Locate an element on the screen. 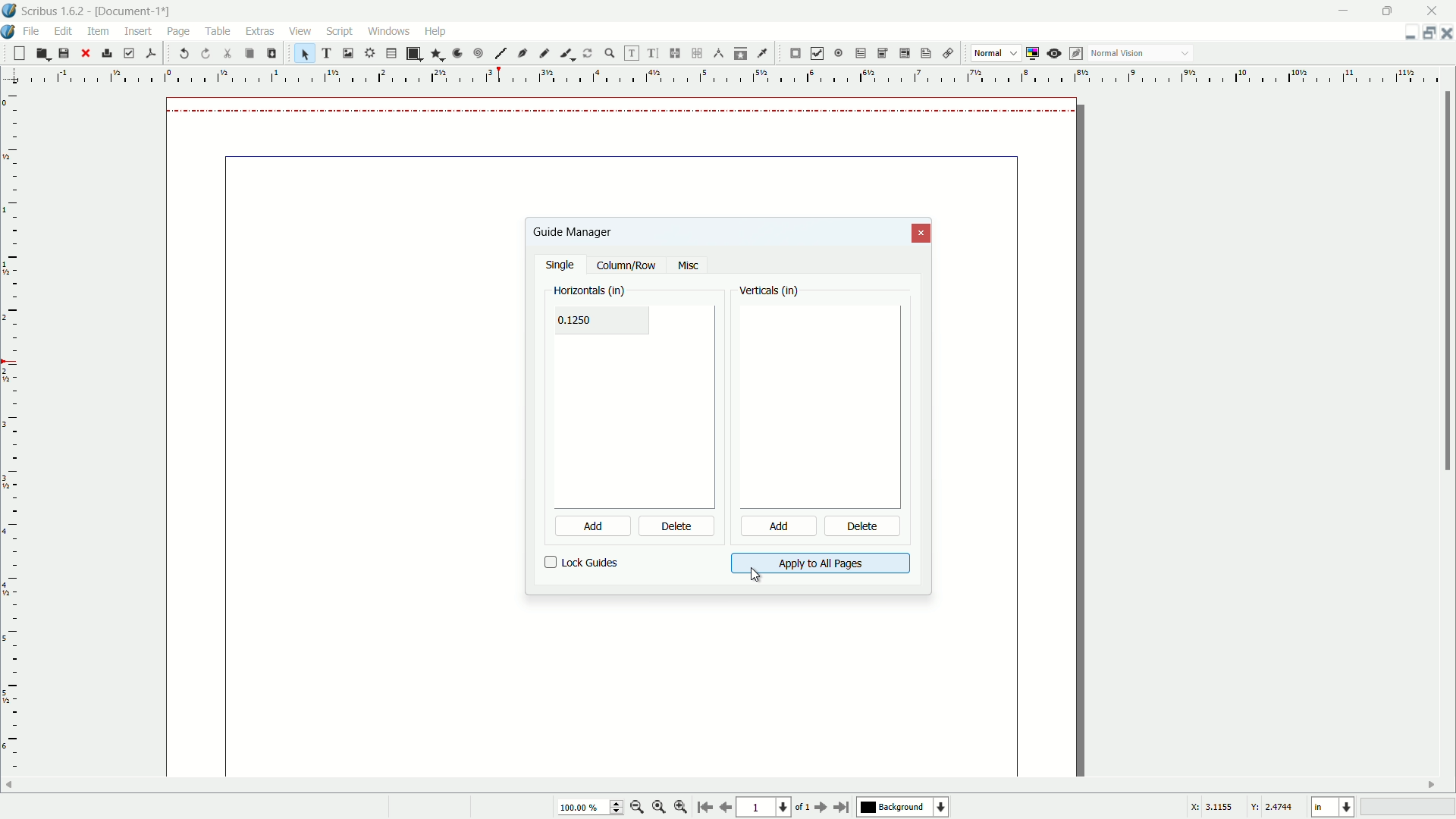 This screenshot has width=1456, height=819. save is located at coordinates (64, 54).